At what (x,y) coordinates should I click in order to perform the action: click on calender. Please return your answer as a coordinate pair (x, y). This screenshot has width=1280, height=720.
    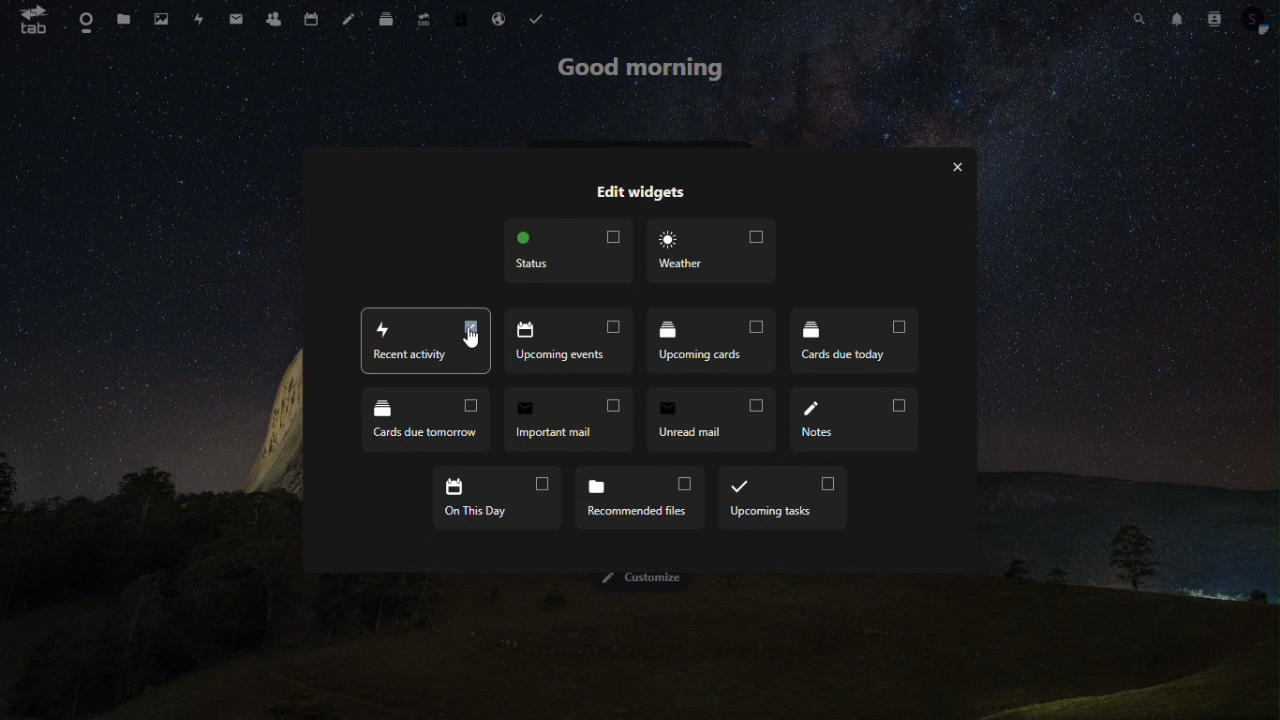
    Looking at the image, I should click on (316, 16).